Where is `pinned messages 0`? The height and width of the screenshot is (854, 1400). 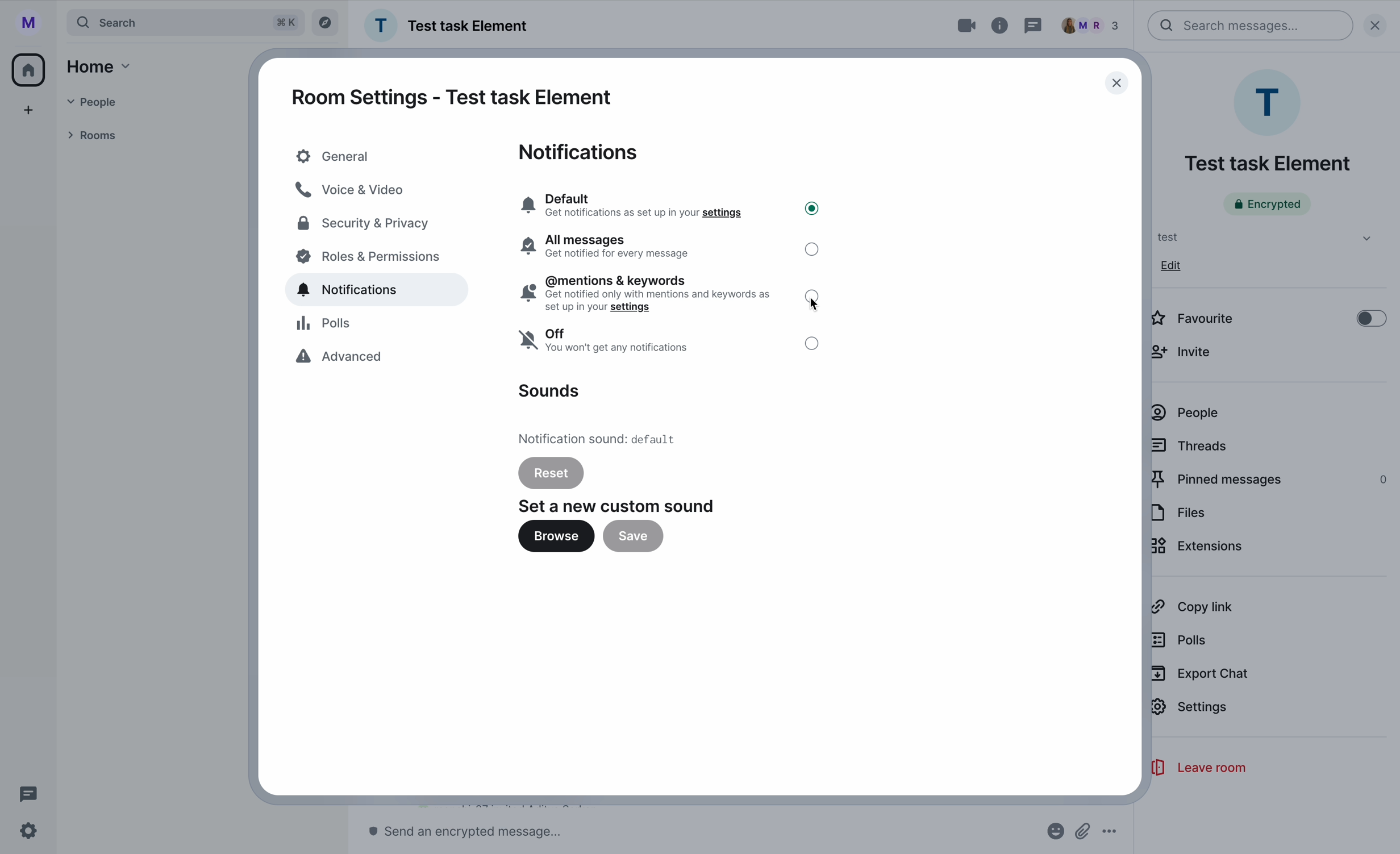
pinned messages 0 is located at coordinates (1270, 480).